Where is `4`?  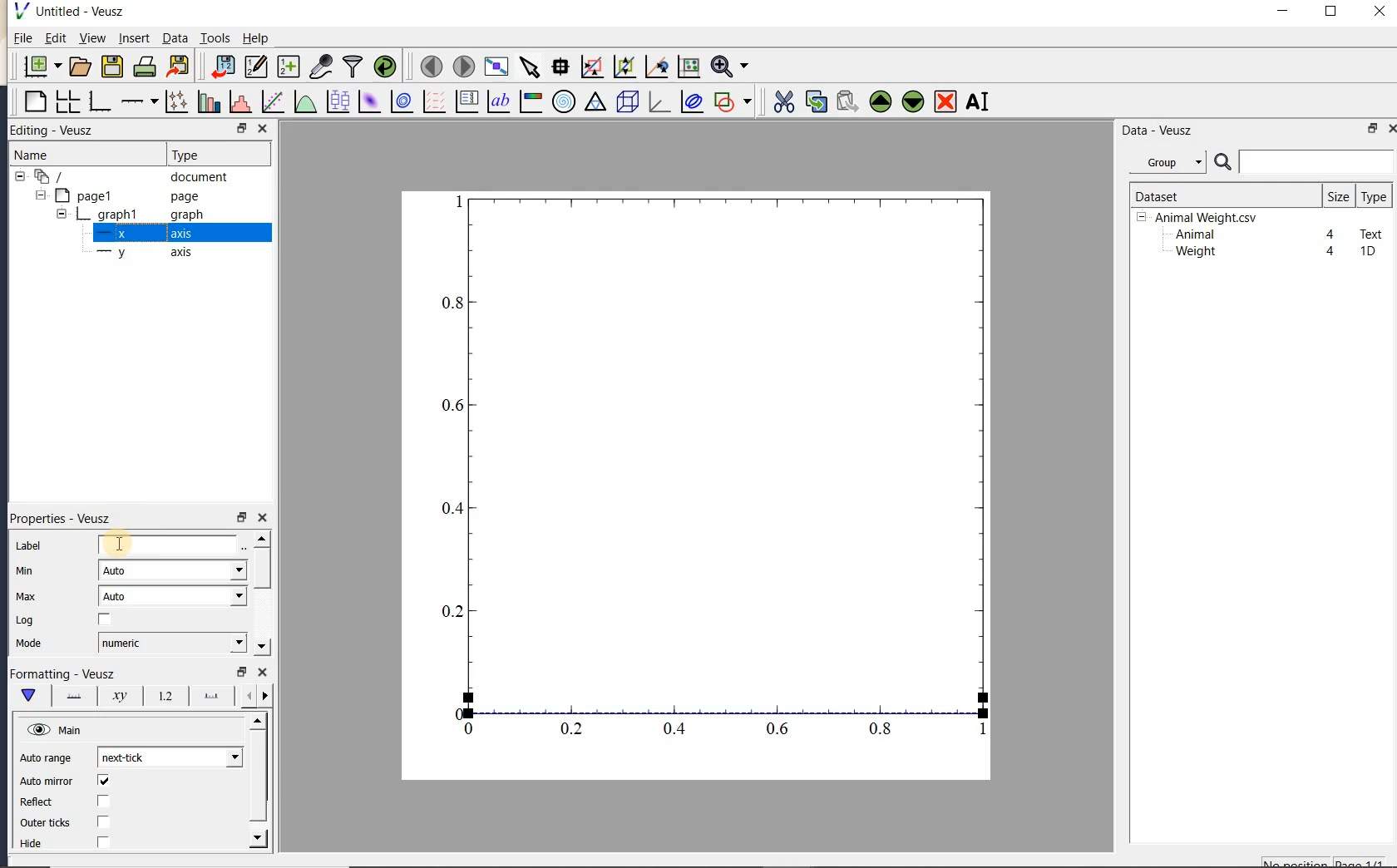 4 is located at coordinates (1331, 235).